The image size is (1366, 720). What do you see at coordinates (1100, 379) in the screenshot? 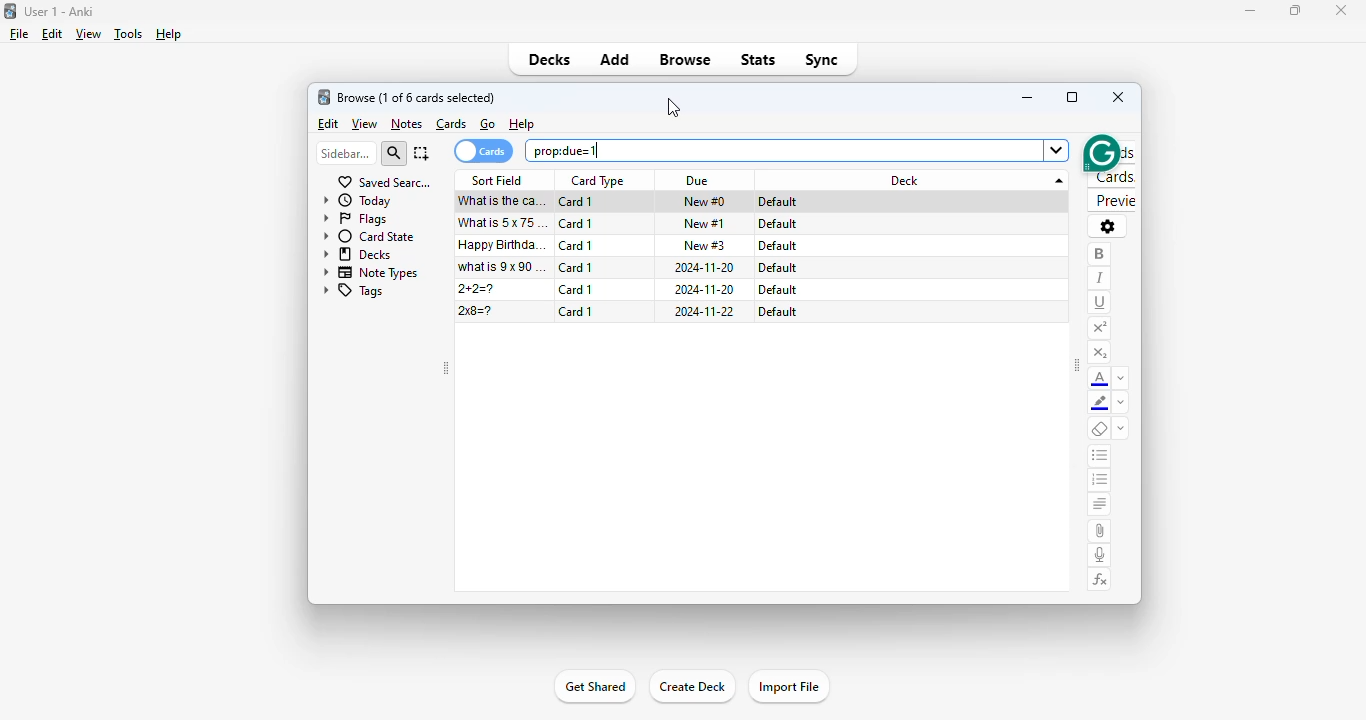
I see `text color` at bounding box center [1100, 379].